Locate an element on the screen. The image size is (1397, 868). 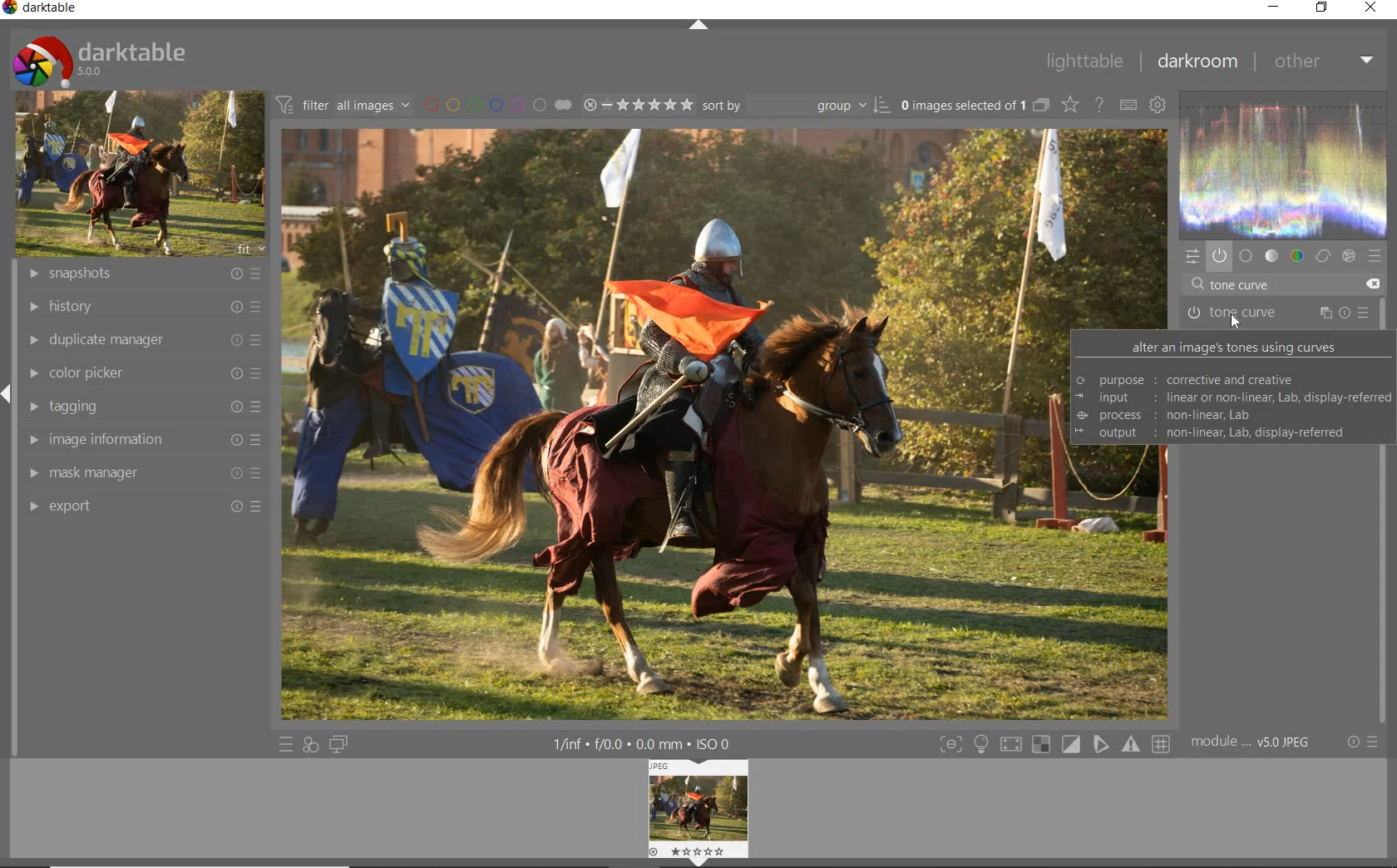
filter all images is located at coordinates (343, 105).